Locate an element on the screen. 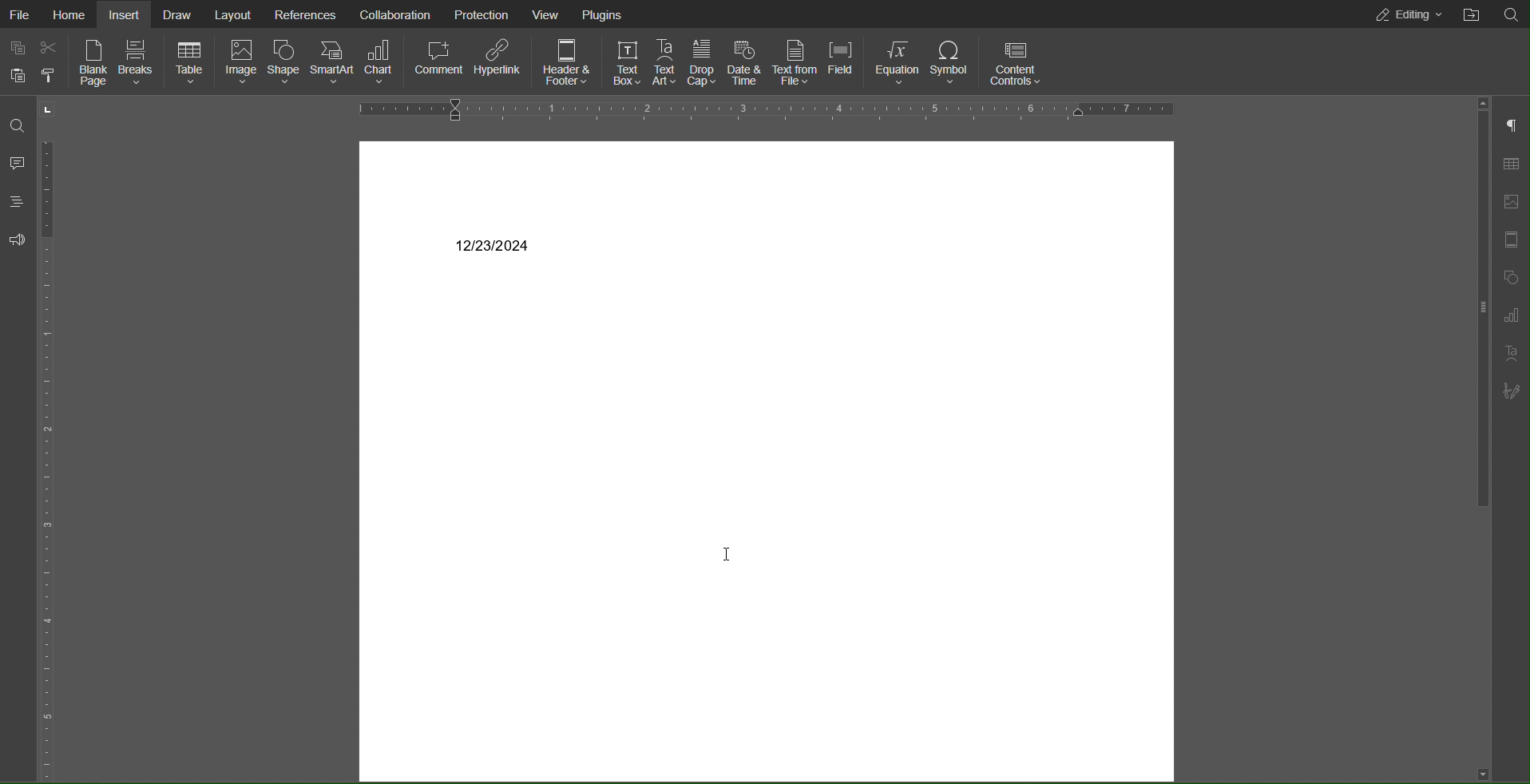 The image size is (1530, 784). Cut is located at coordinates (48, 51).